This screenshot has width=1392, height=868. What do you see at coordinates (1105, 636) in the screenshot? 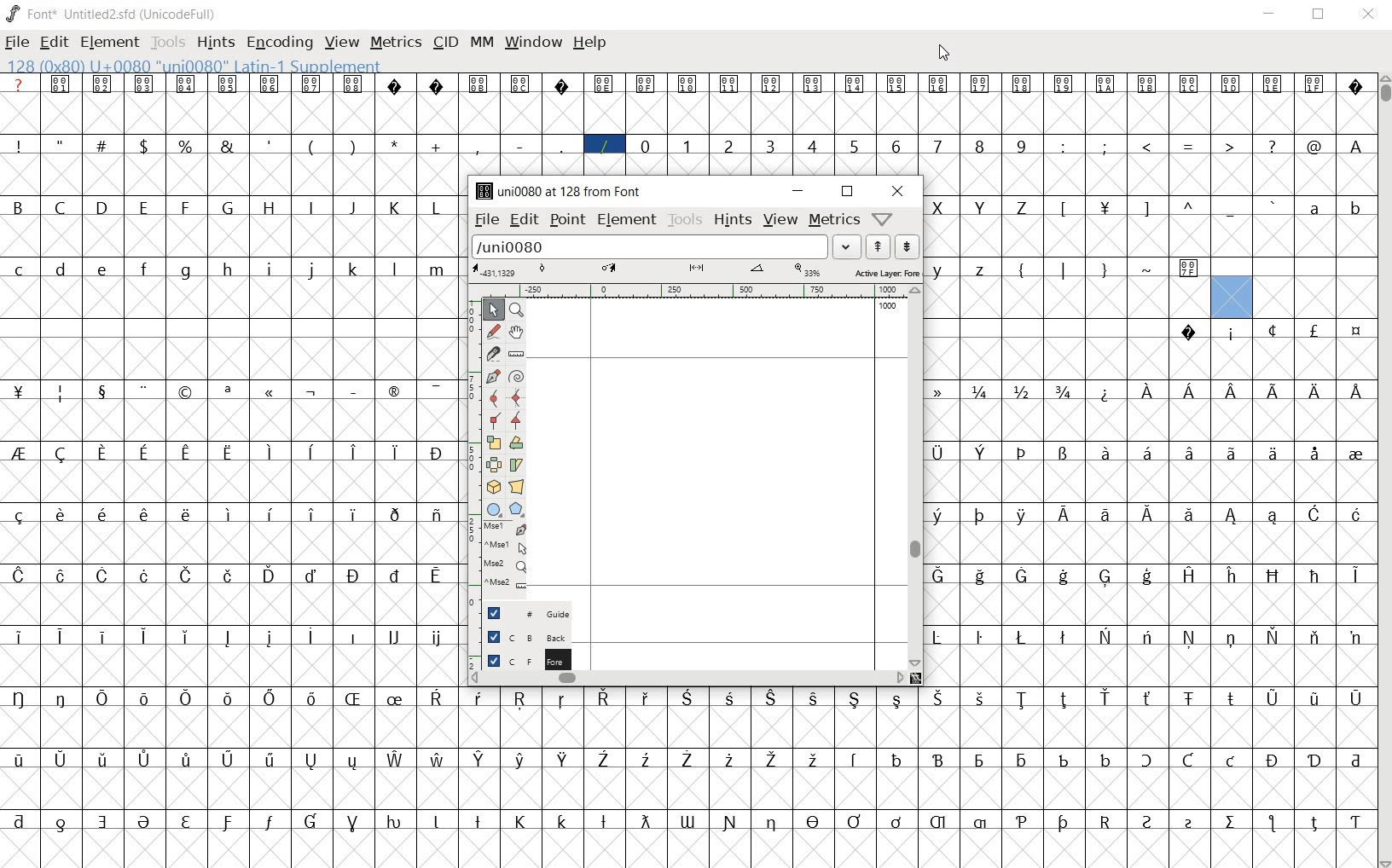
I see `glyph` at bounding box center [1105, 636].